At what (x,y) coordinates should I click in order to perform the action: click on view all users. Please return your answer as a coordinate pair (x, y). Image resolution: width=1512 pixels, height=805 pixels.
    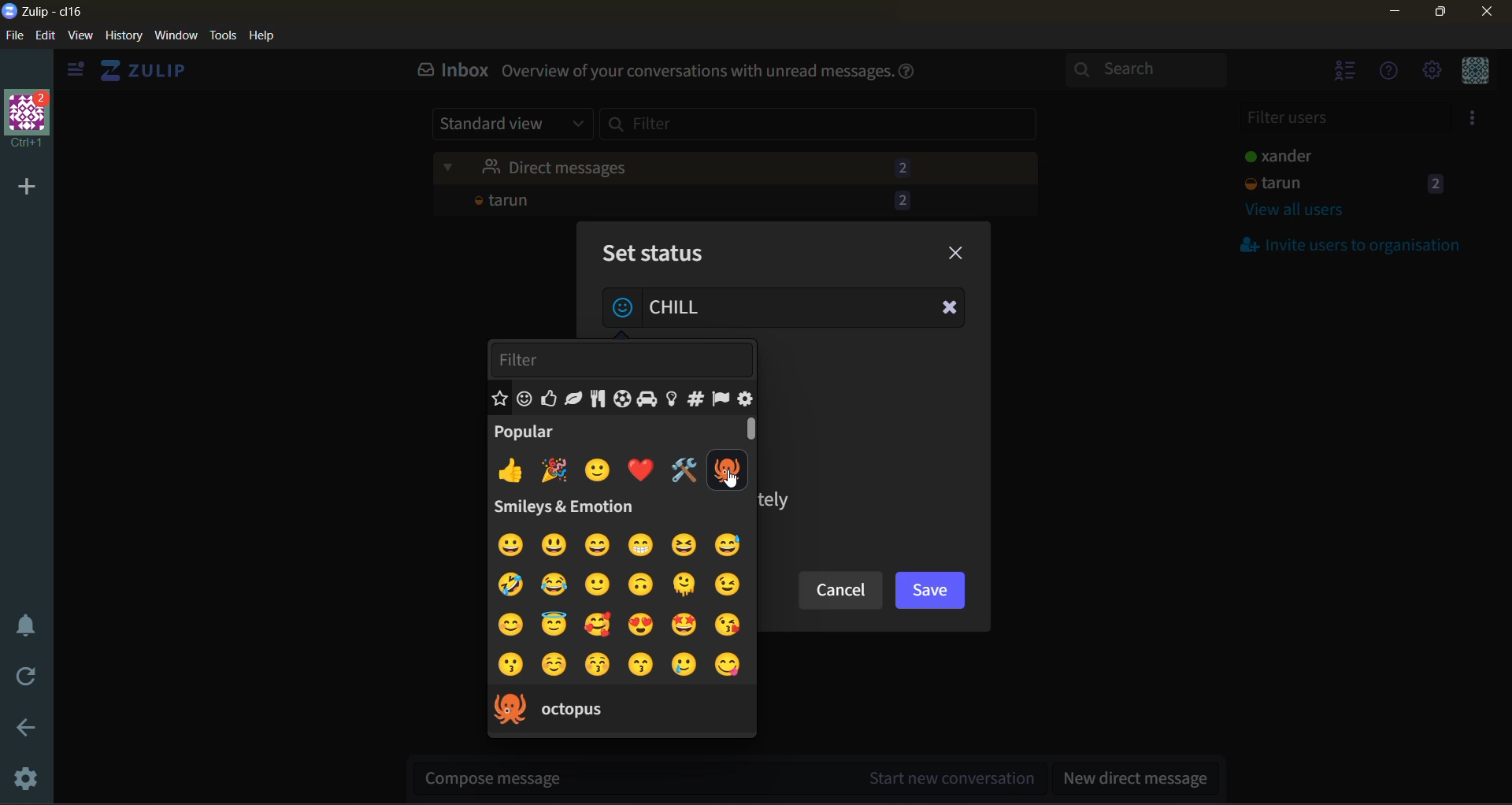
    Looking at the image, I should click on (1308, 214).